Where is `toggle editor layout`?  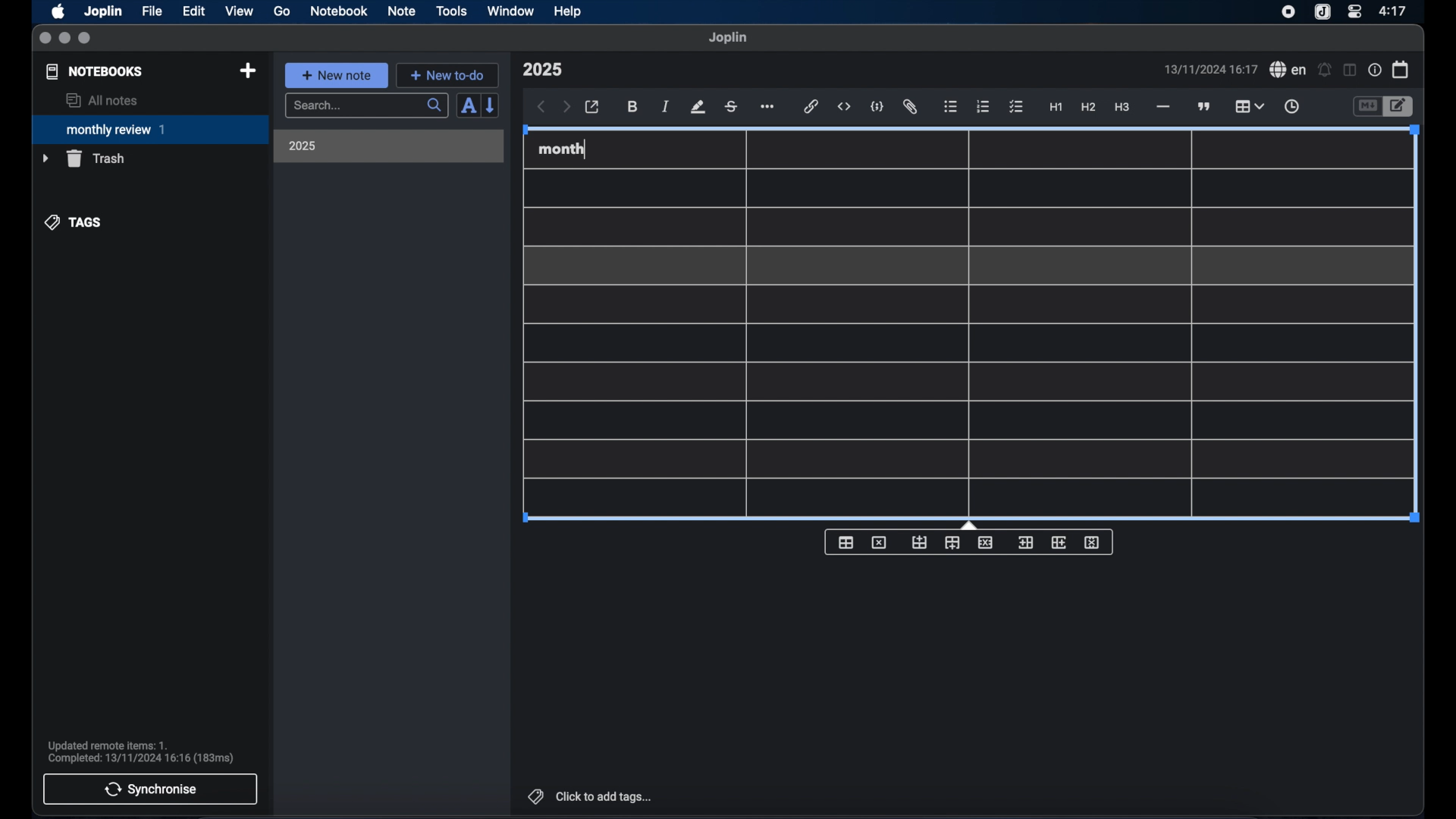
toggle editor layout is located at coordinates (1351, 70).